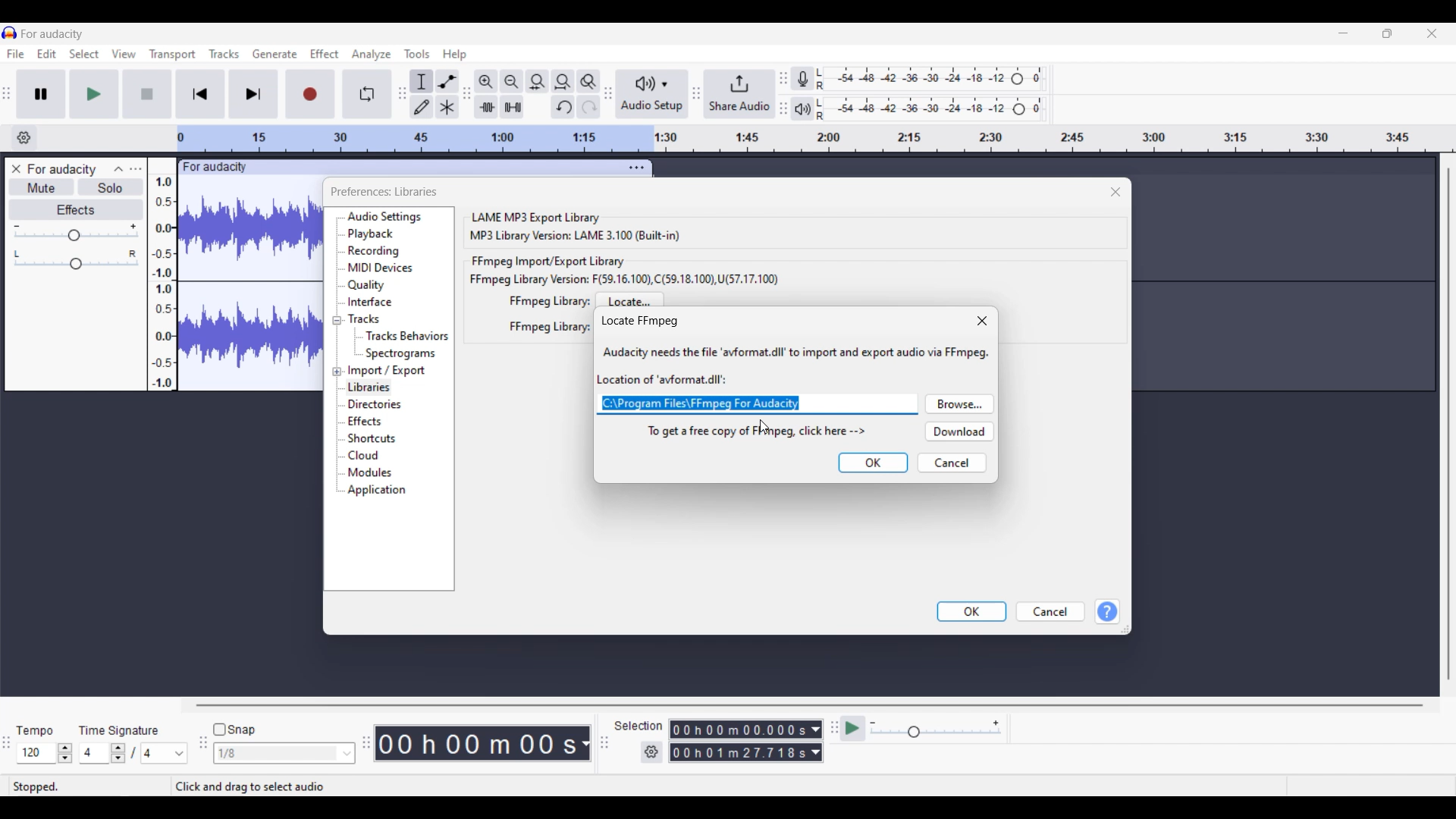 The width and height of the screenshot is (1456, 819). I want to click on Vertical slide bar, so click(1448, 425).